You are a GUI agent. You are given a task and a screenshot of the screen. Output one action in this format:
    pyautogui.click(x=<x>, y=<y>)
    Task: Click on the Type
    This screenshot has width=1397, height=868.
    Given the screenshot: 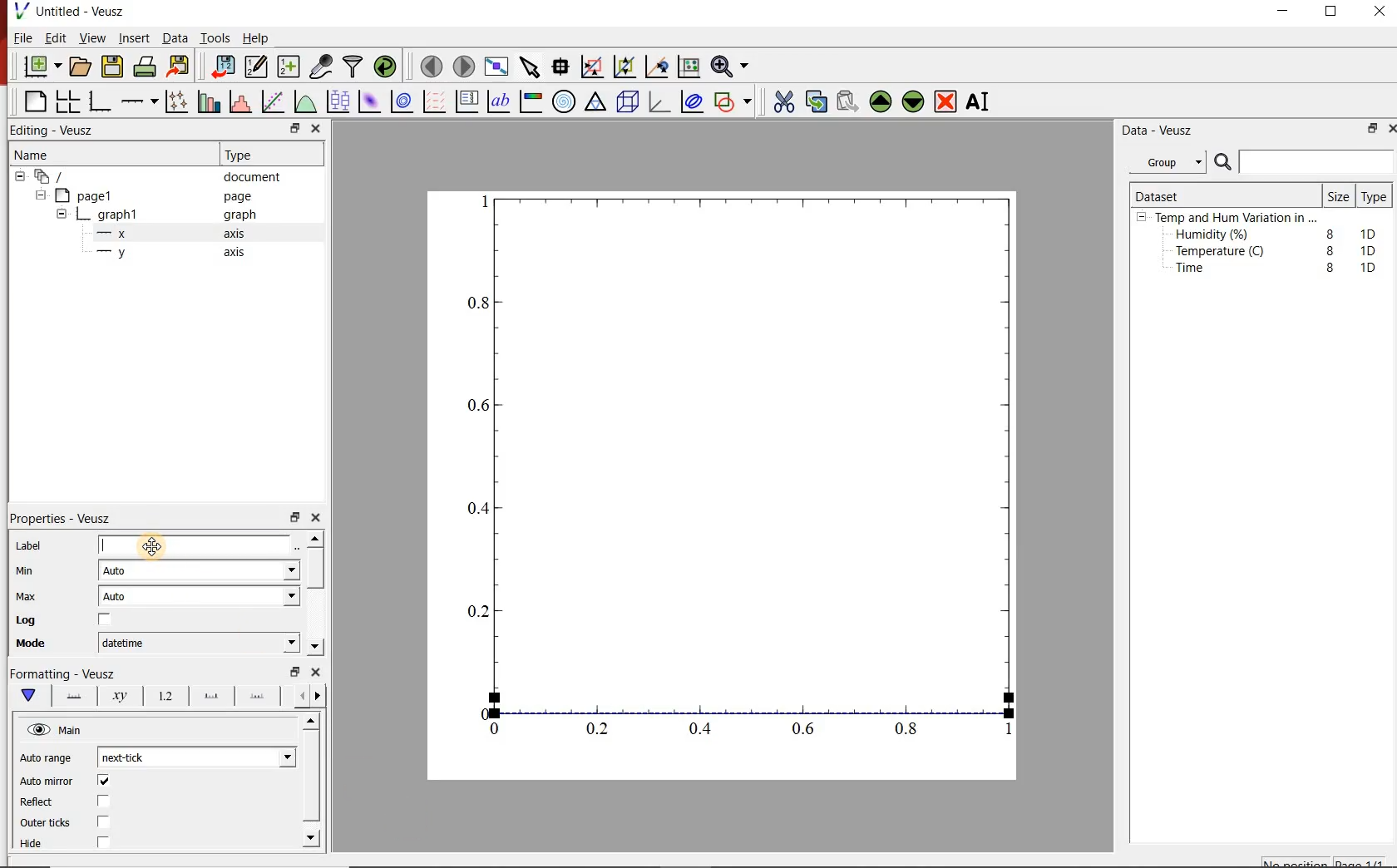 What is the action you would take?
    pyautogui.click(x=249, y=155)
    